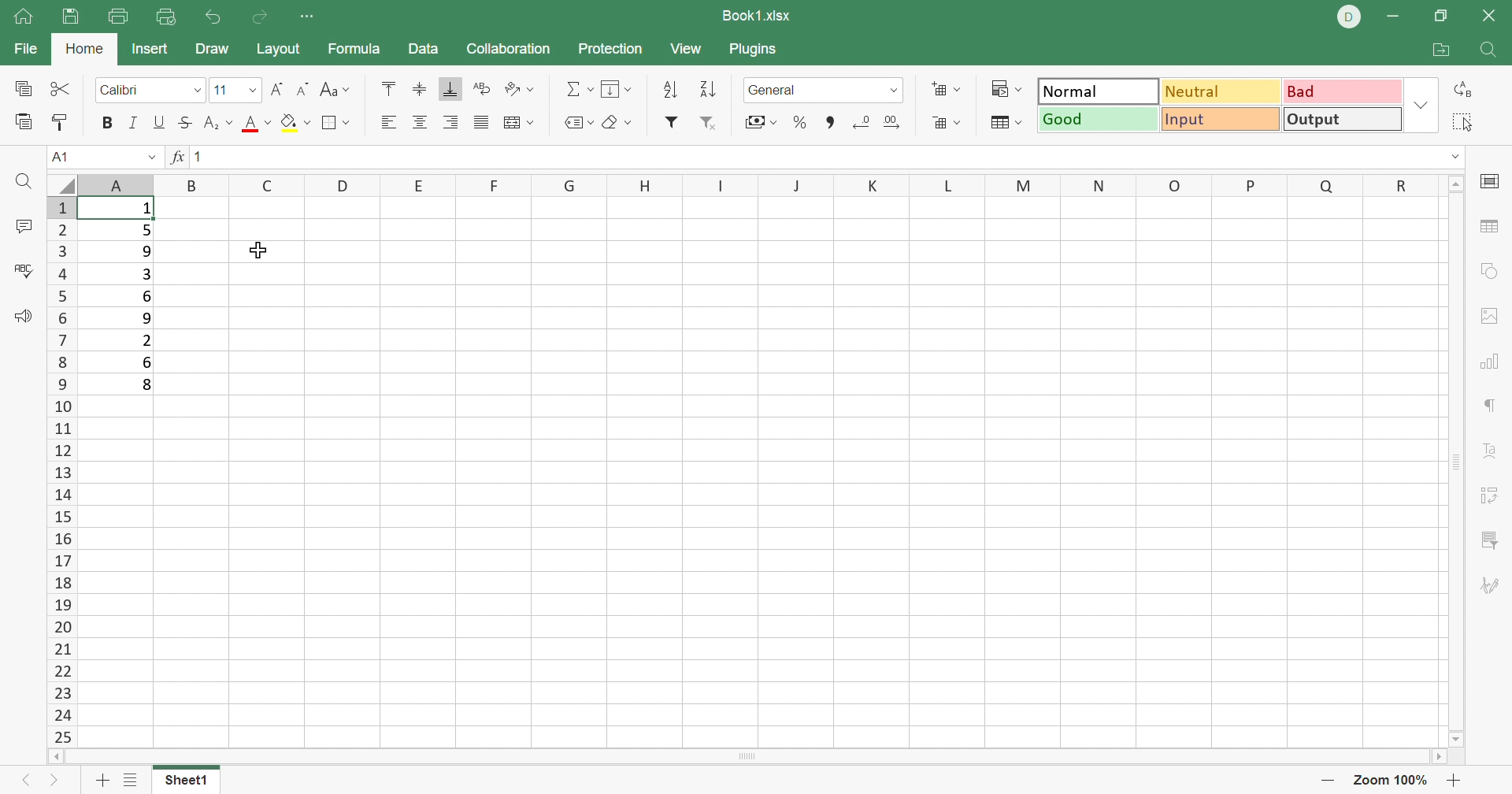 The height and width of the screenshot is (794, 1512). What do you see at coordinates (1492, 587) in the screenshot?
I see `Signature settings` at bounding box center [1492, 587].